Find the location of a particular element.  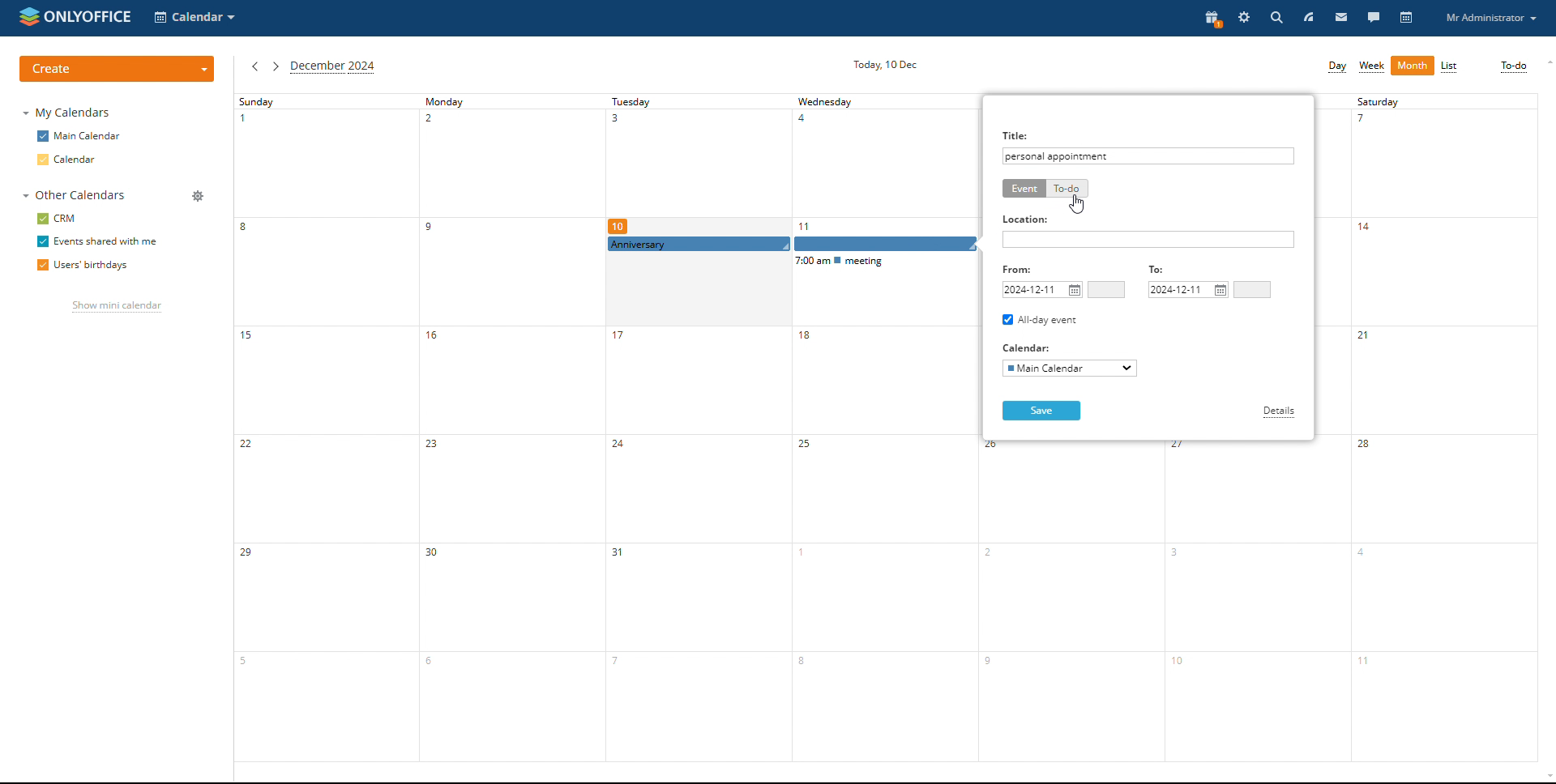

save is located at coordinates (1041, 411).